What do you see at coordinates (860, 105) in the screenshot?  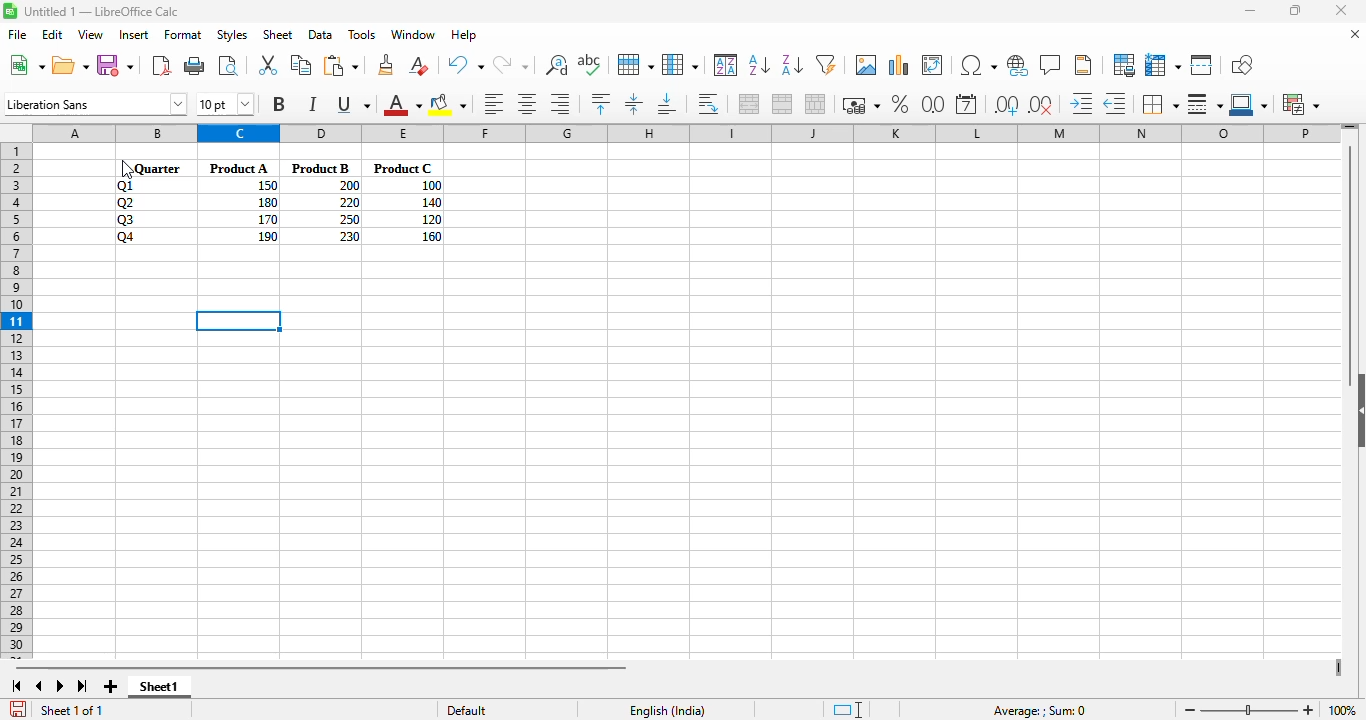 I see `format as currency` at bounding box center [860, 105].